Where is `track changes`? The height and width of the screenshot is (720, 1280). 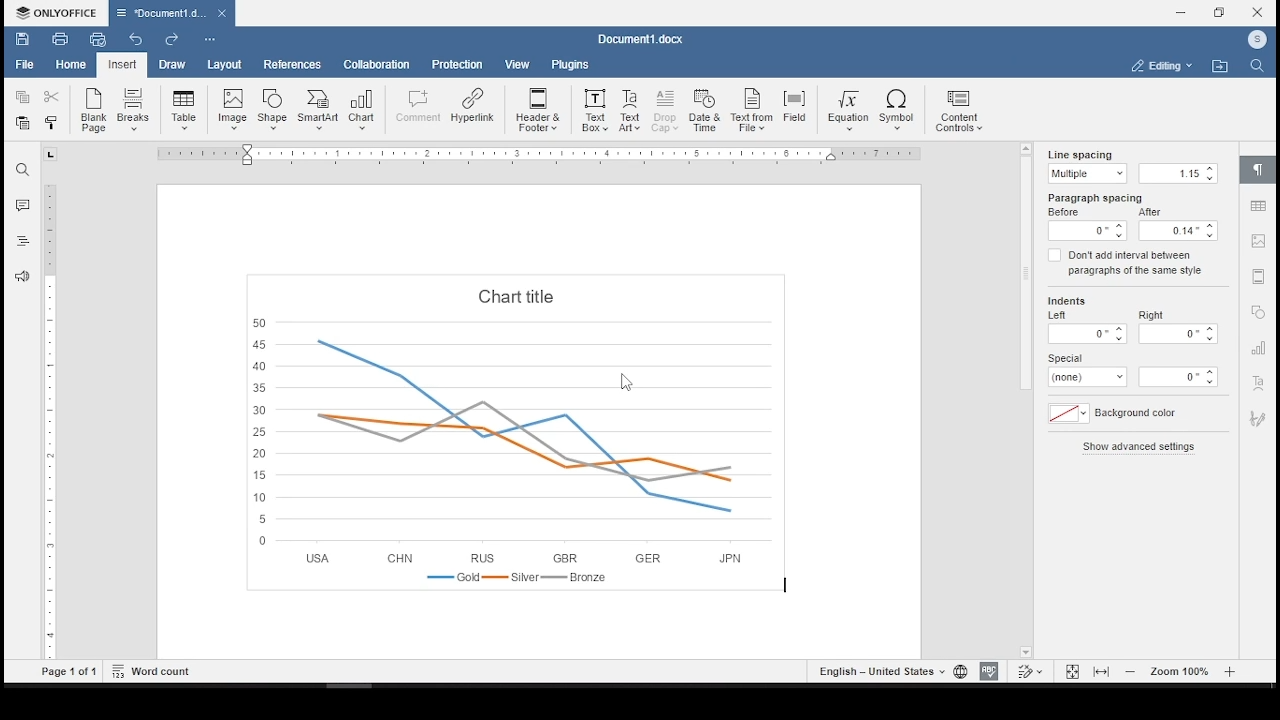 track changes is located at coordinates (1030, 672).